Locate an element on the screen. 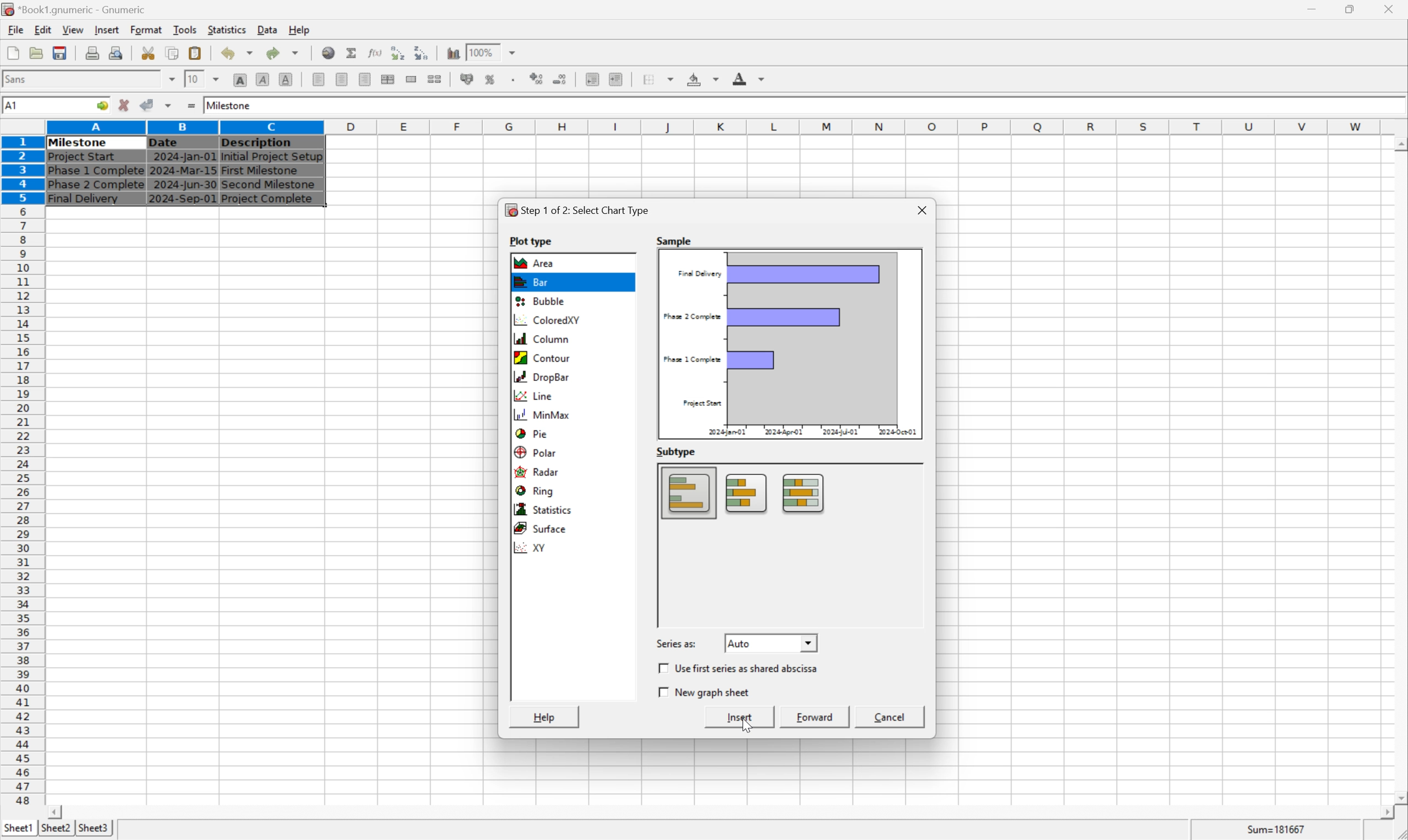 This screenshot has width=1408, height=840. increase indent is located at coordinates (619, 79).